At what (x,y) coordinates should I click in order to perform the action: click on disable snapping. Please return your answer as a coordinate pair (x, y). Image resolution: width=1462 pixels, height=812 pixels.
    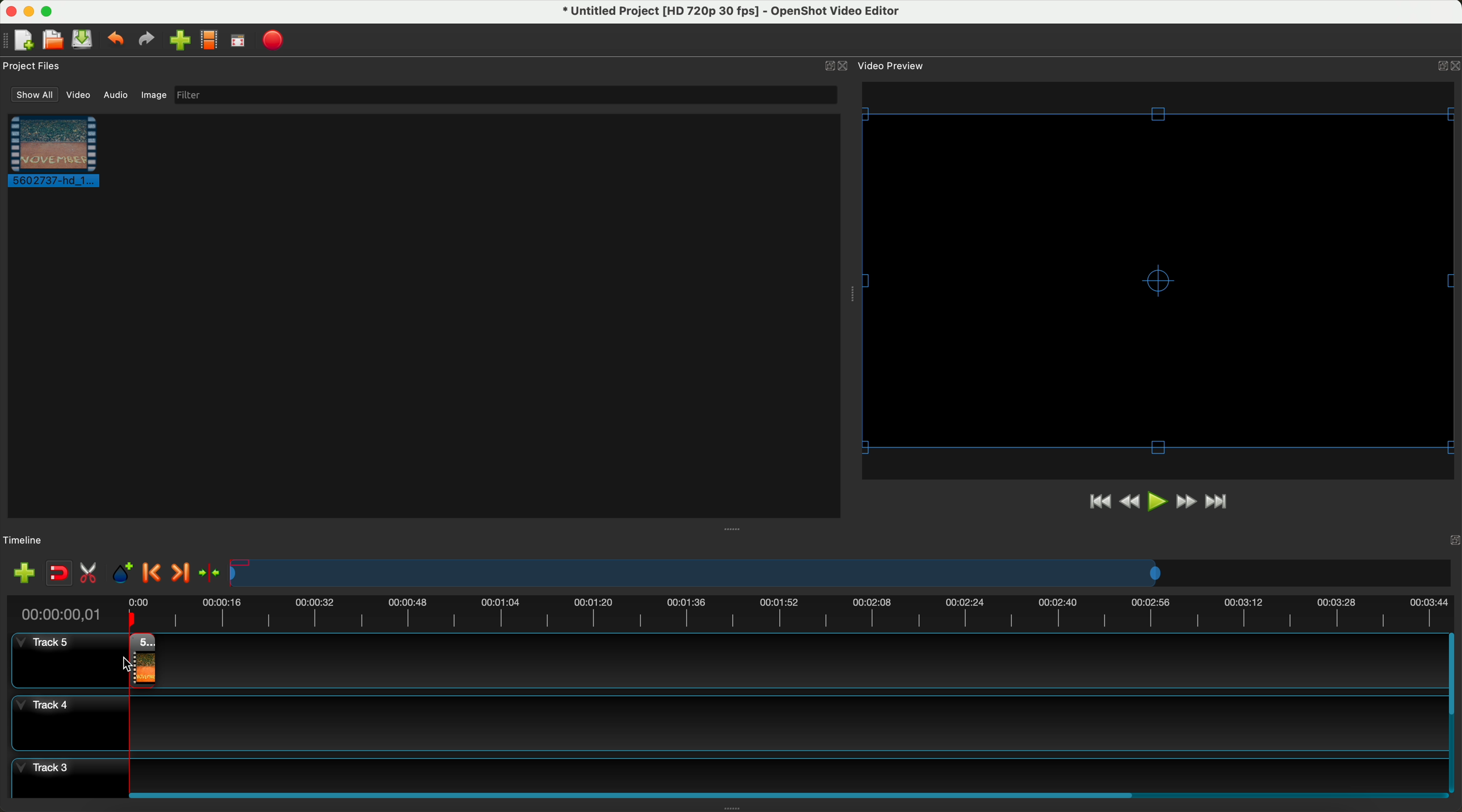
    Looking at the image, I should click on (60, 574).